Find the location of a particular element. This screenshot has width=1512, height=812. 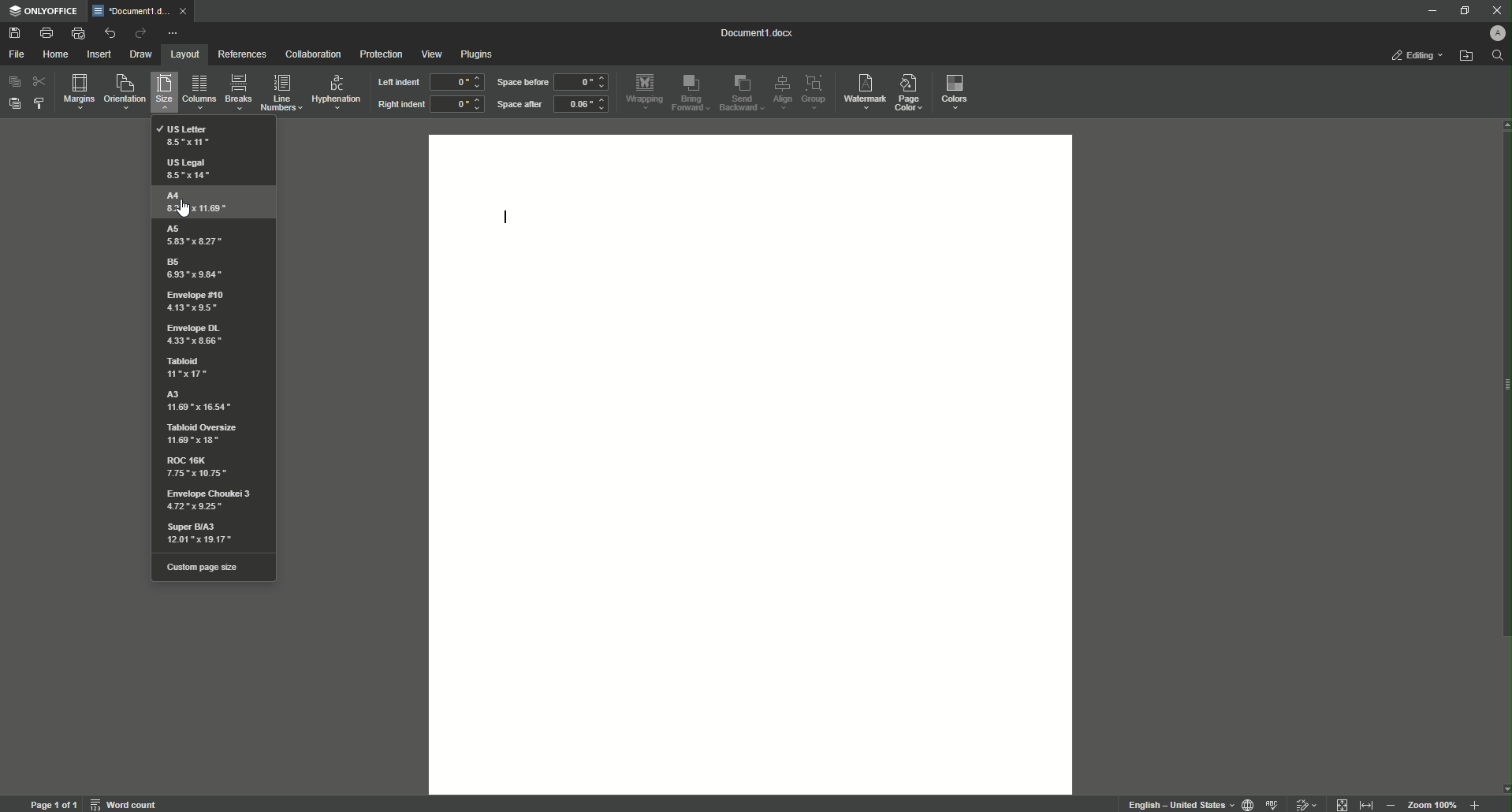

Search is located at coordinates (1495, 59).